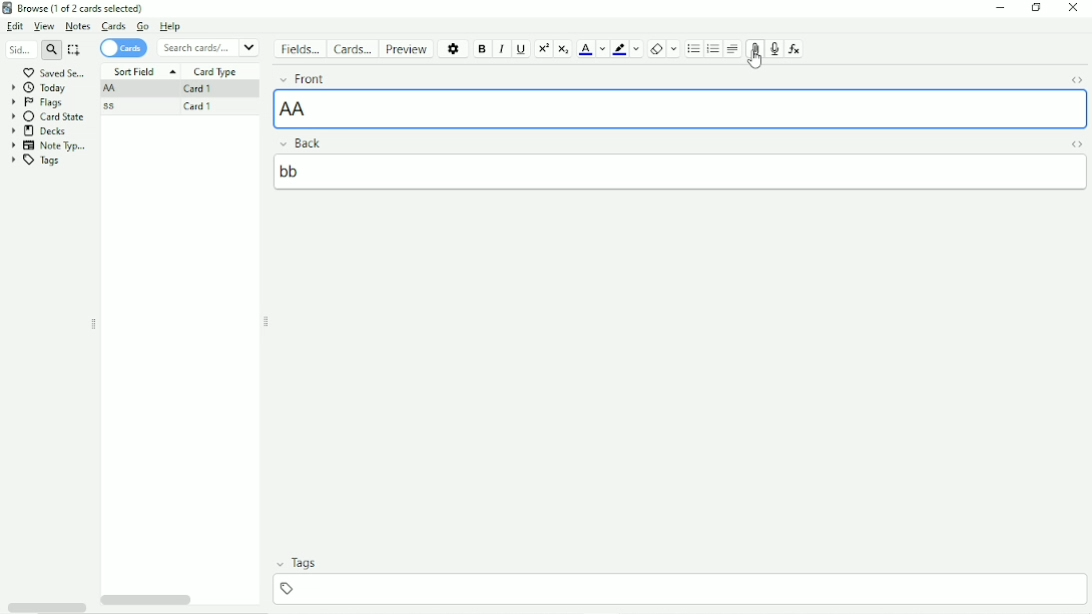 This screenshot has width=1092, height=614. I want to click on Select, so click(75, 49).